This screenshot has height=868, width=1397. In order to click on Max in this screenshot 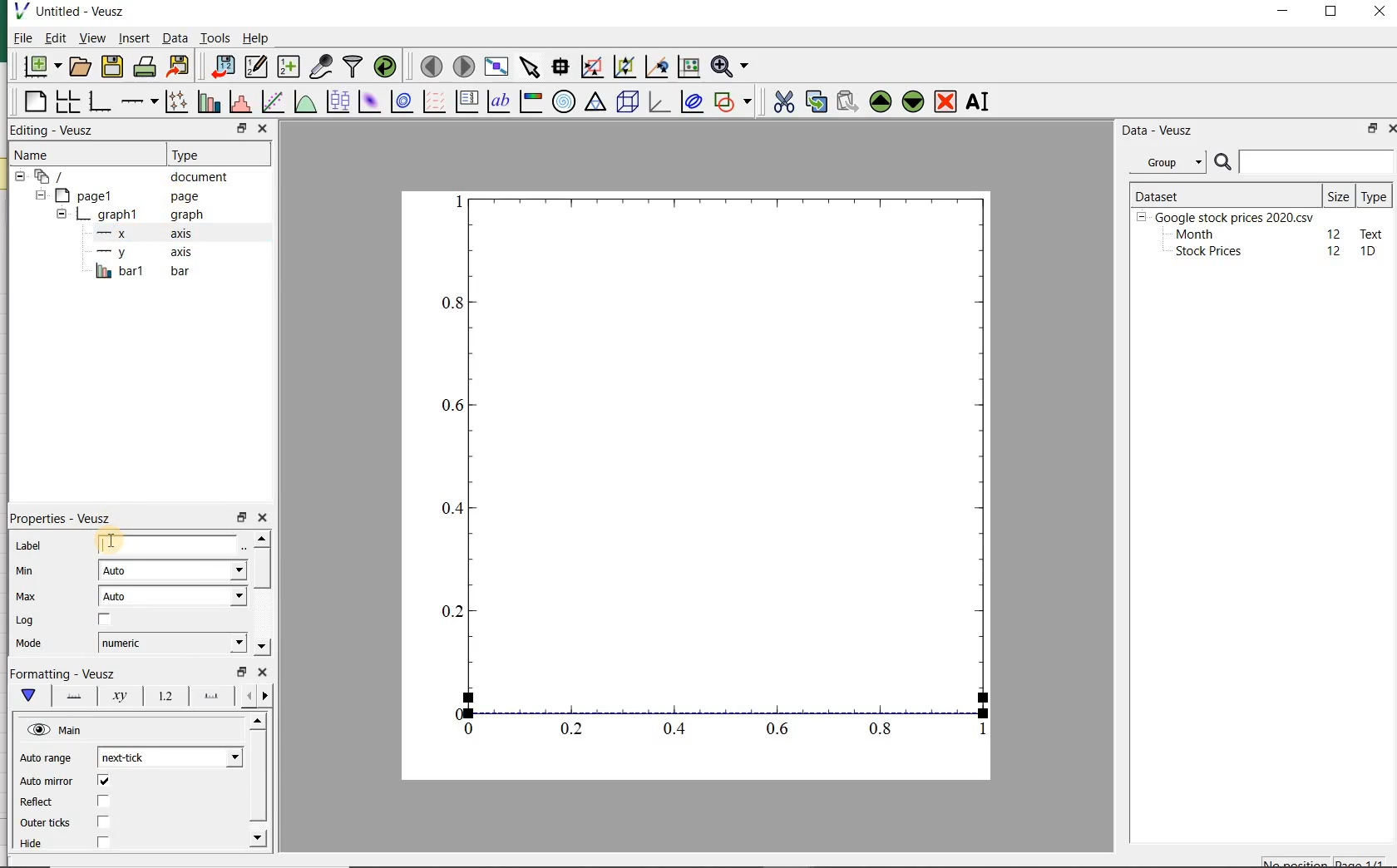, I will do `click(27, 598)`.